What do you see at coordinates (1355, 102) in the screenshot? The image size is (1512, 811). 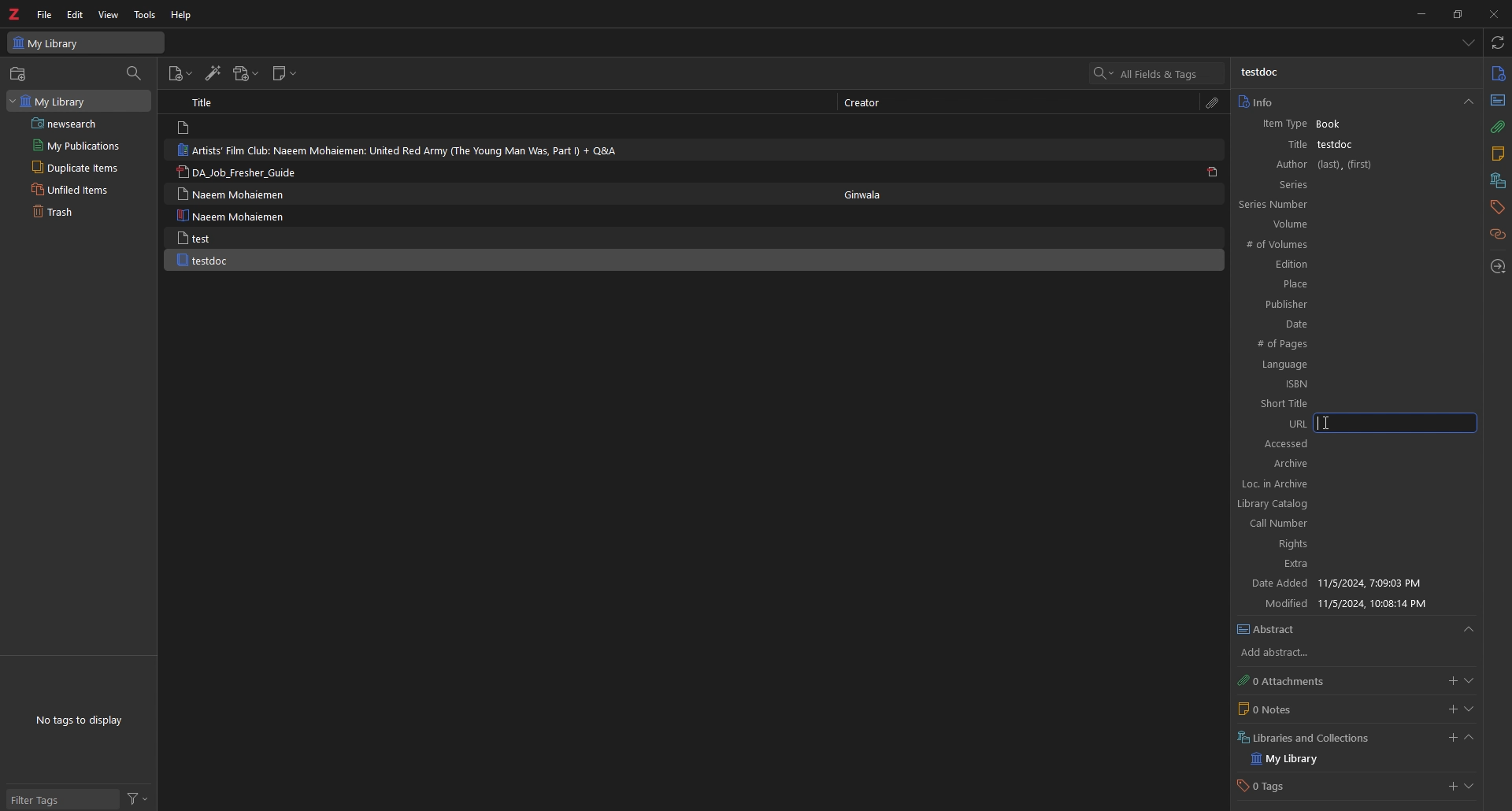 I see `info` at bounding box center [1355, 102].